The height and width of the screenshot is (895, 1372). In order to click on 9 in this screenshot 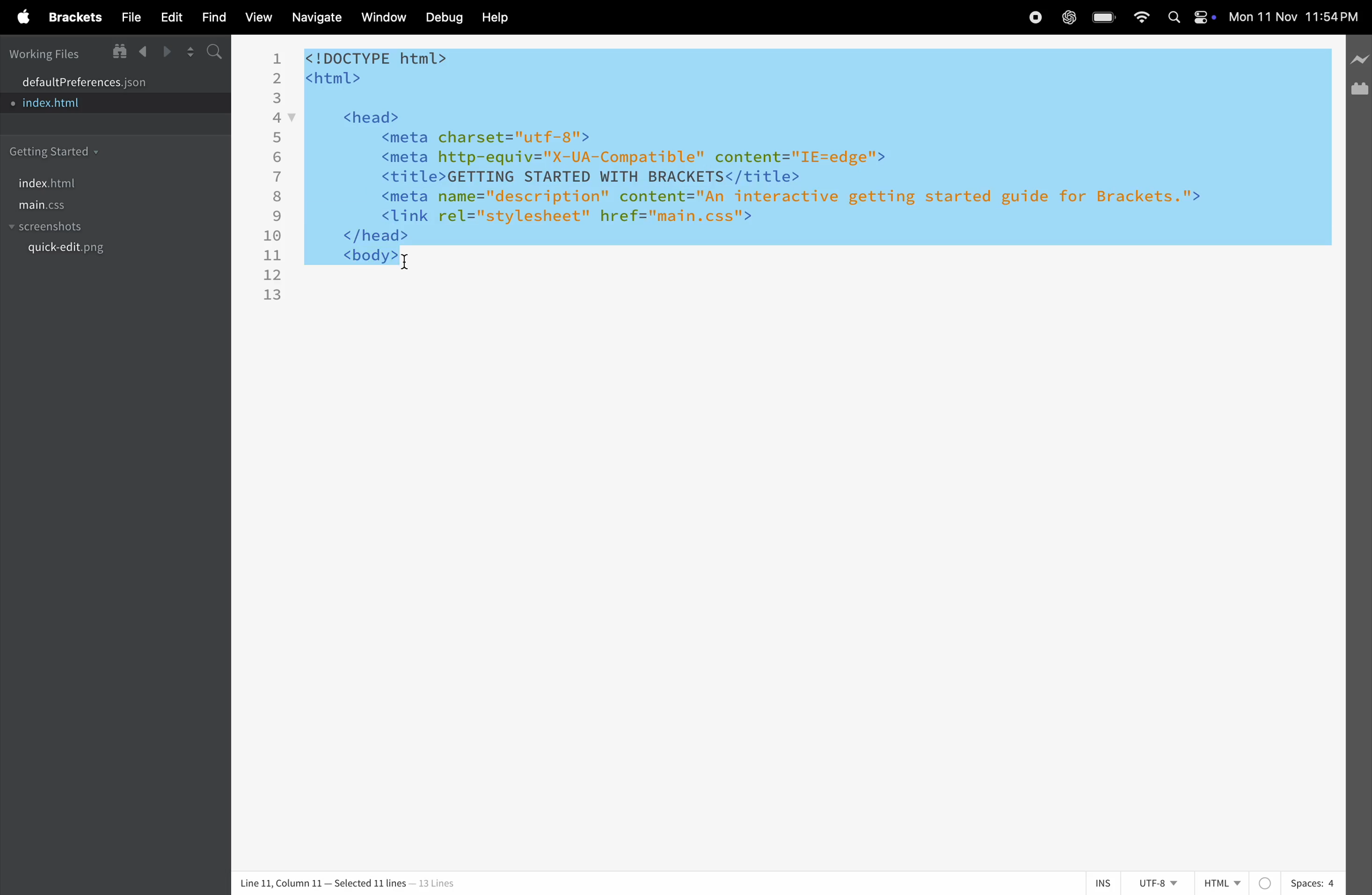, I will do `click(278, 217)`.